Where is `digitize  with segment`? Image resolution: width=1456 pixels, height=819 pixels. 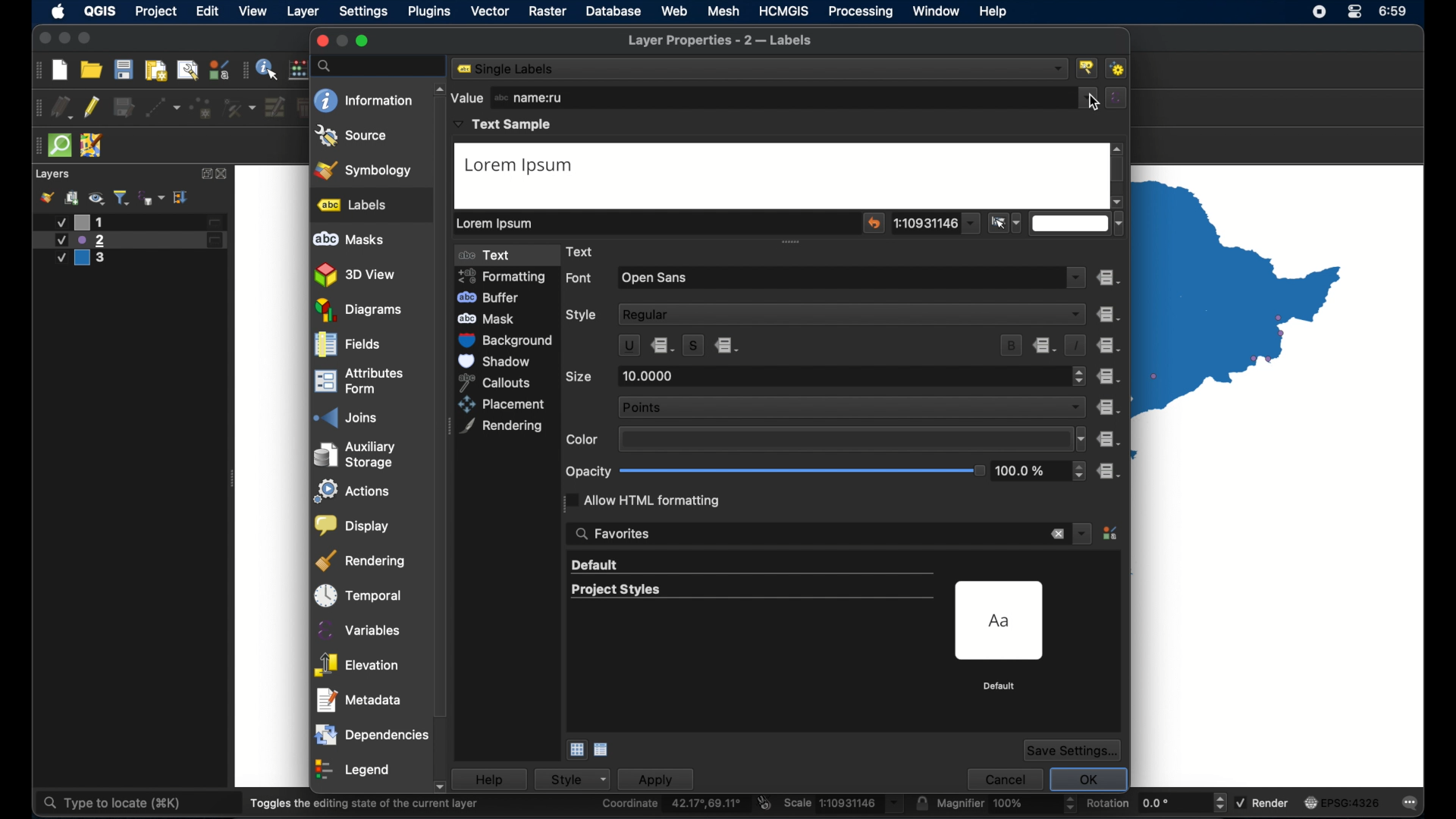 digitize  with segment is located at coordinates (163, 108).